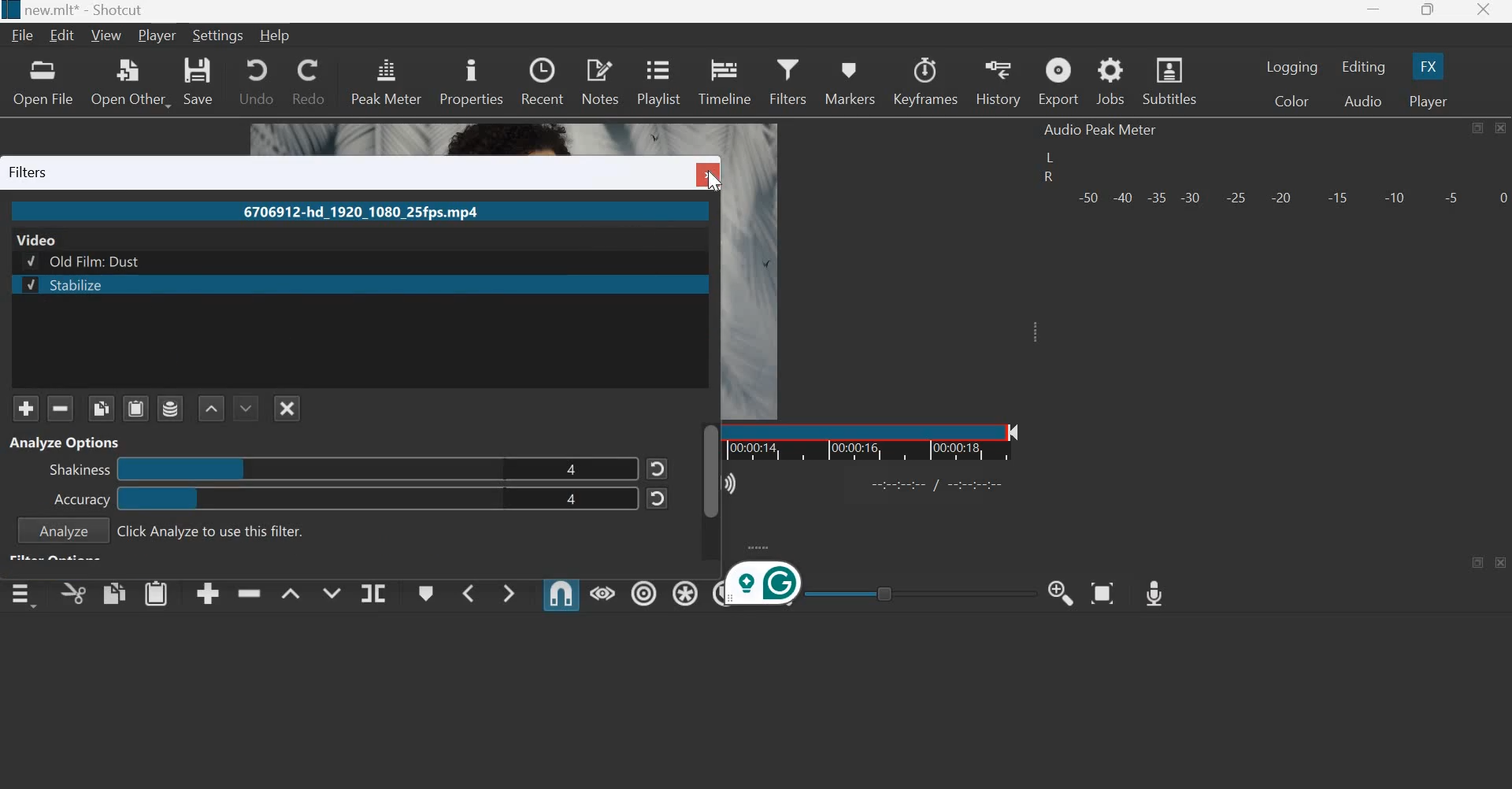  What do you see at coordinates (471, 80) in the screenshot?
I see `Properties` at bounding box center [471, 80].